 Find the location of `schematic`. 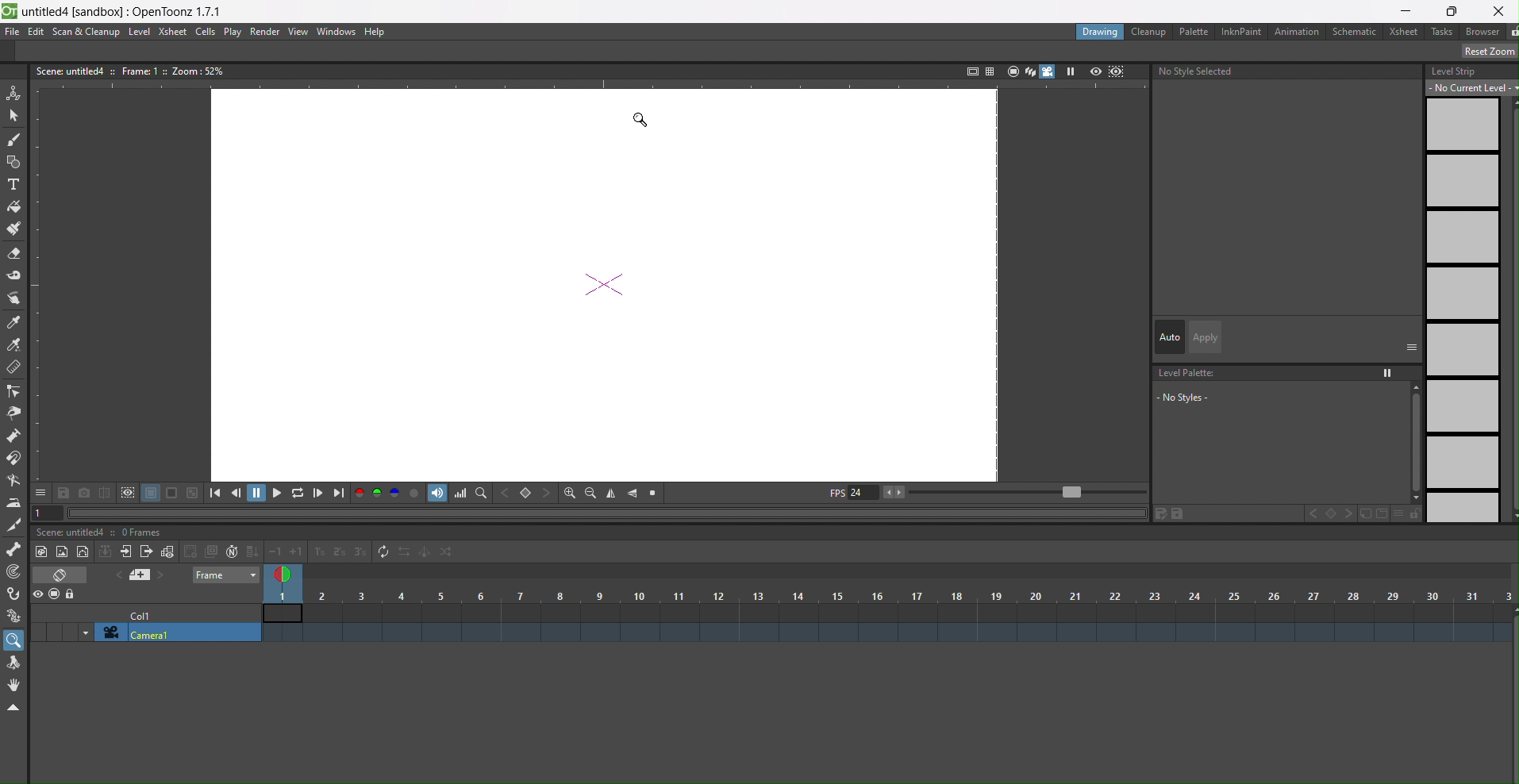

schematic is located at coordinates (1356, 31).